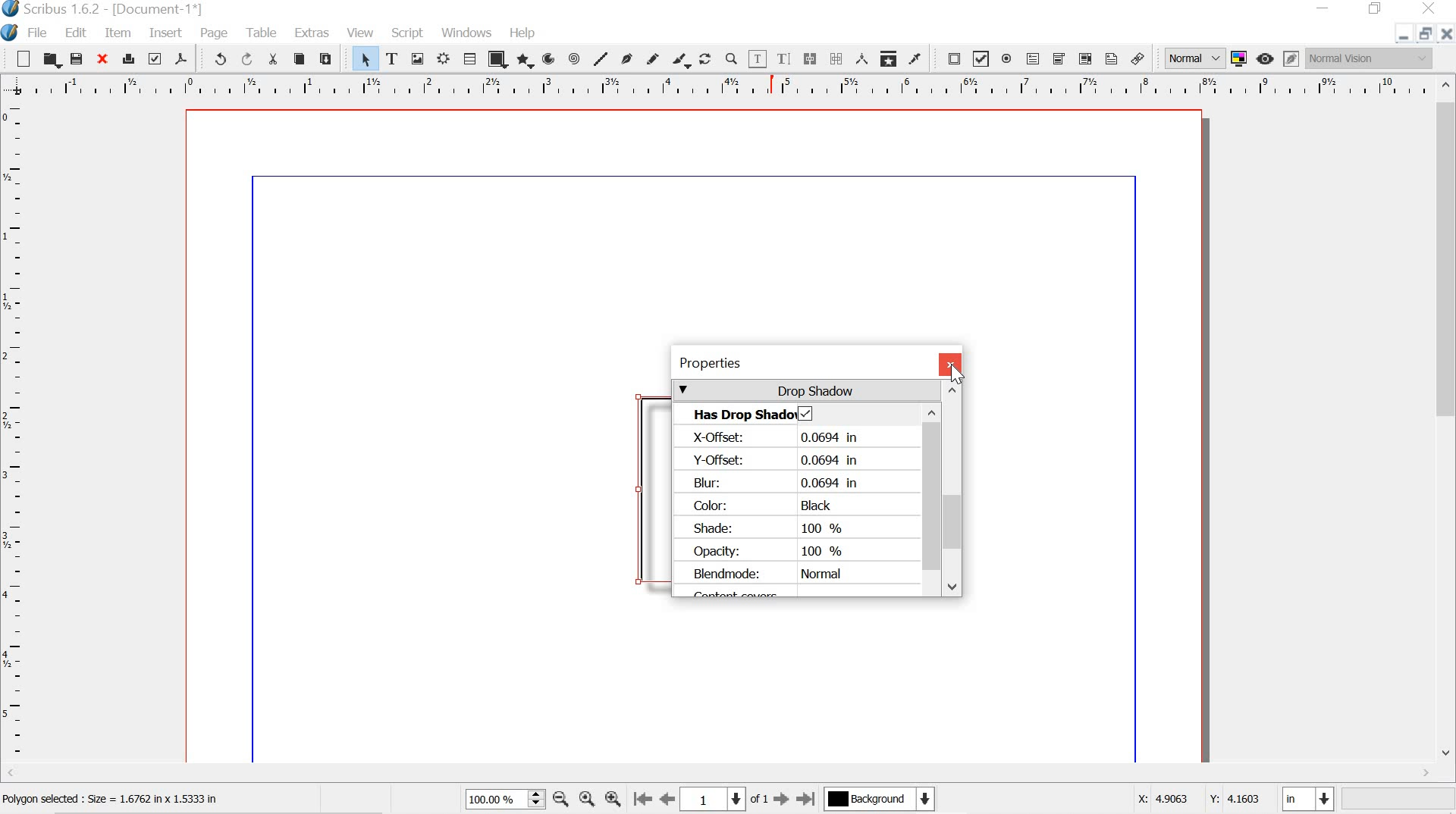 This screenshot has height=814, width=1456. I want to click on EDIT, so click(78, 33).